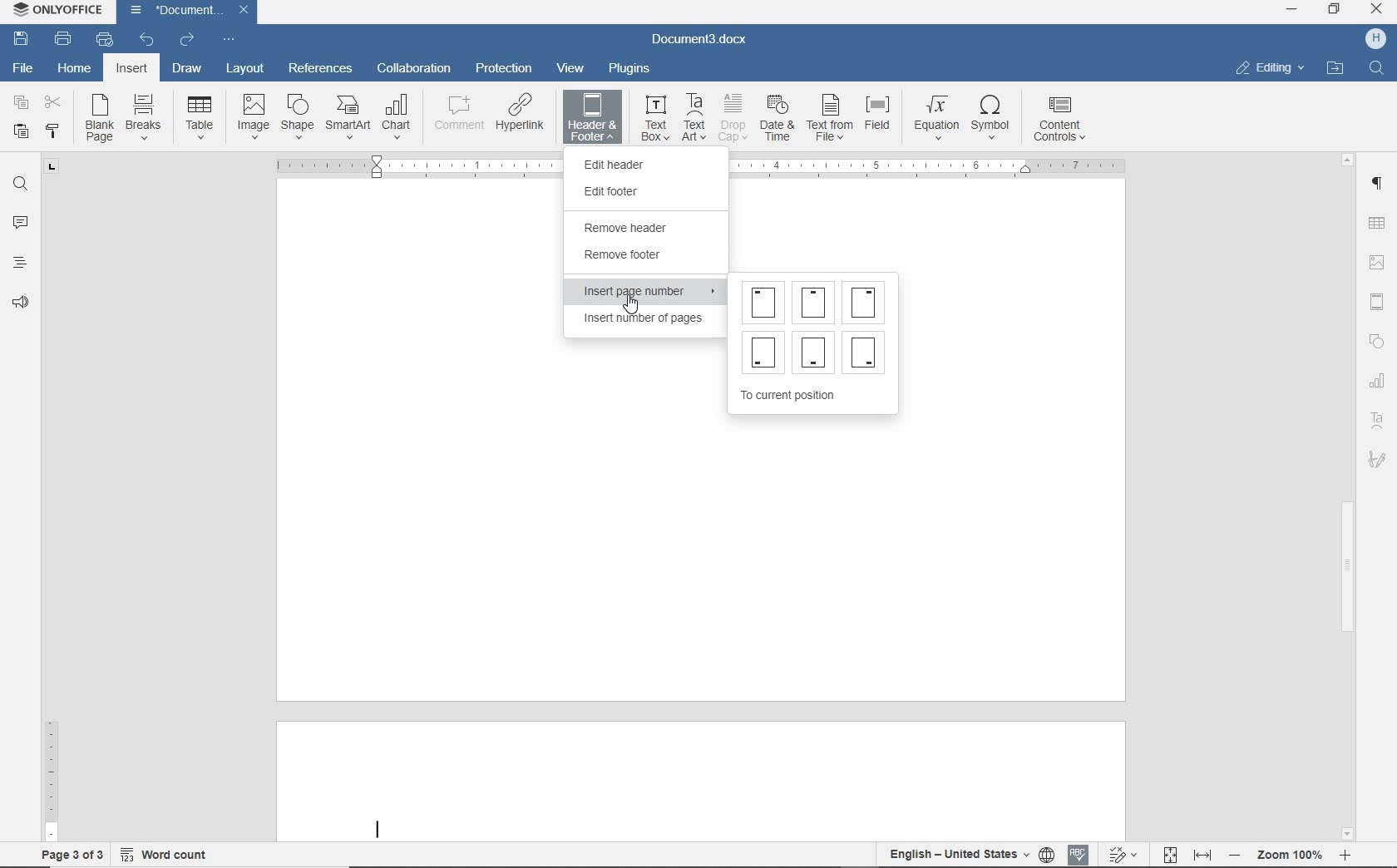 The image size is (1397, 868). What do you see at coordinates (414, 71) in the screenshot?
I see `COLLABORATION` at bounding box center [414, 71].